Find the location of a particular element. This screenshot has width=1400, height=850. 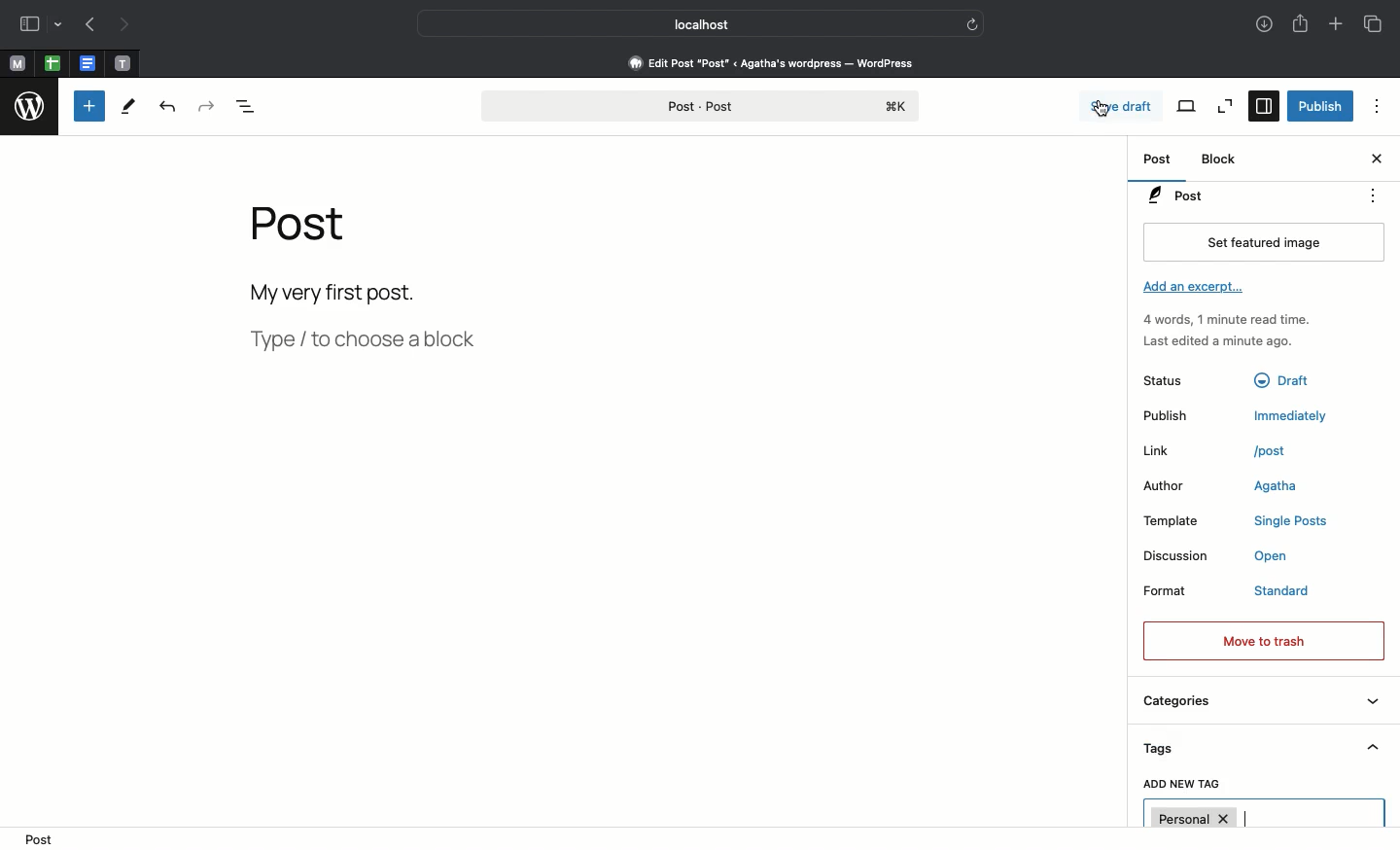

Add an excerpt is located at coordinates (1201, 292).